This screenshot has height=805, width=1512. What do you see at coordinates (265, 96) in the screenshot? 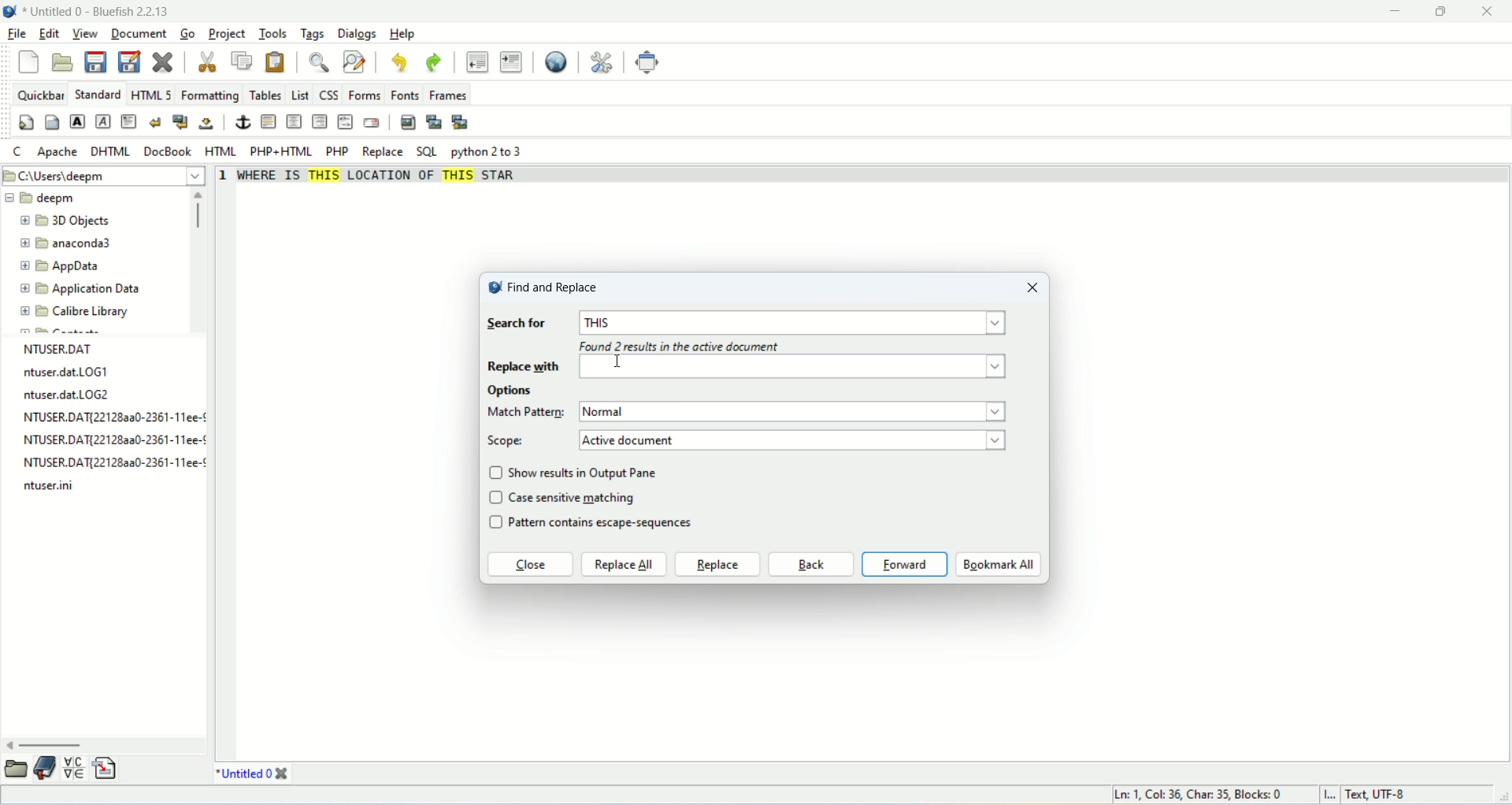
I see `tables` at bounding box center [265, 96].